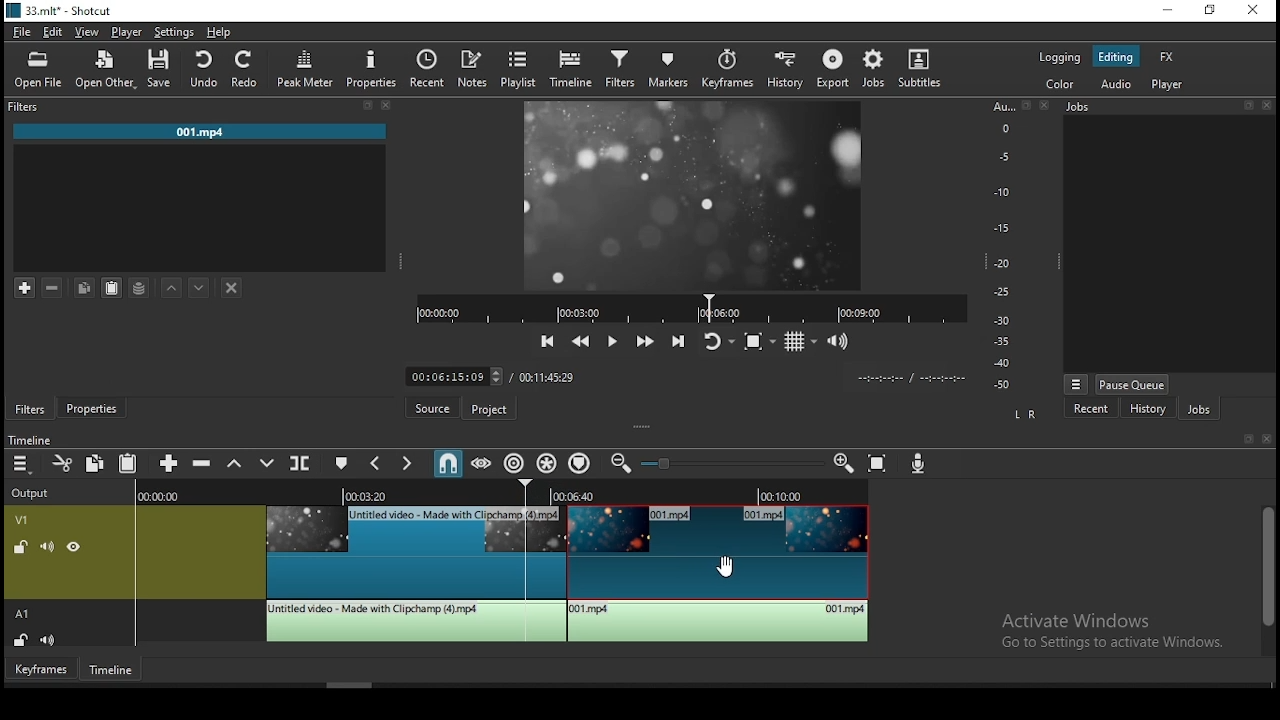  I want to click on open file, so click(35, 71).